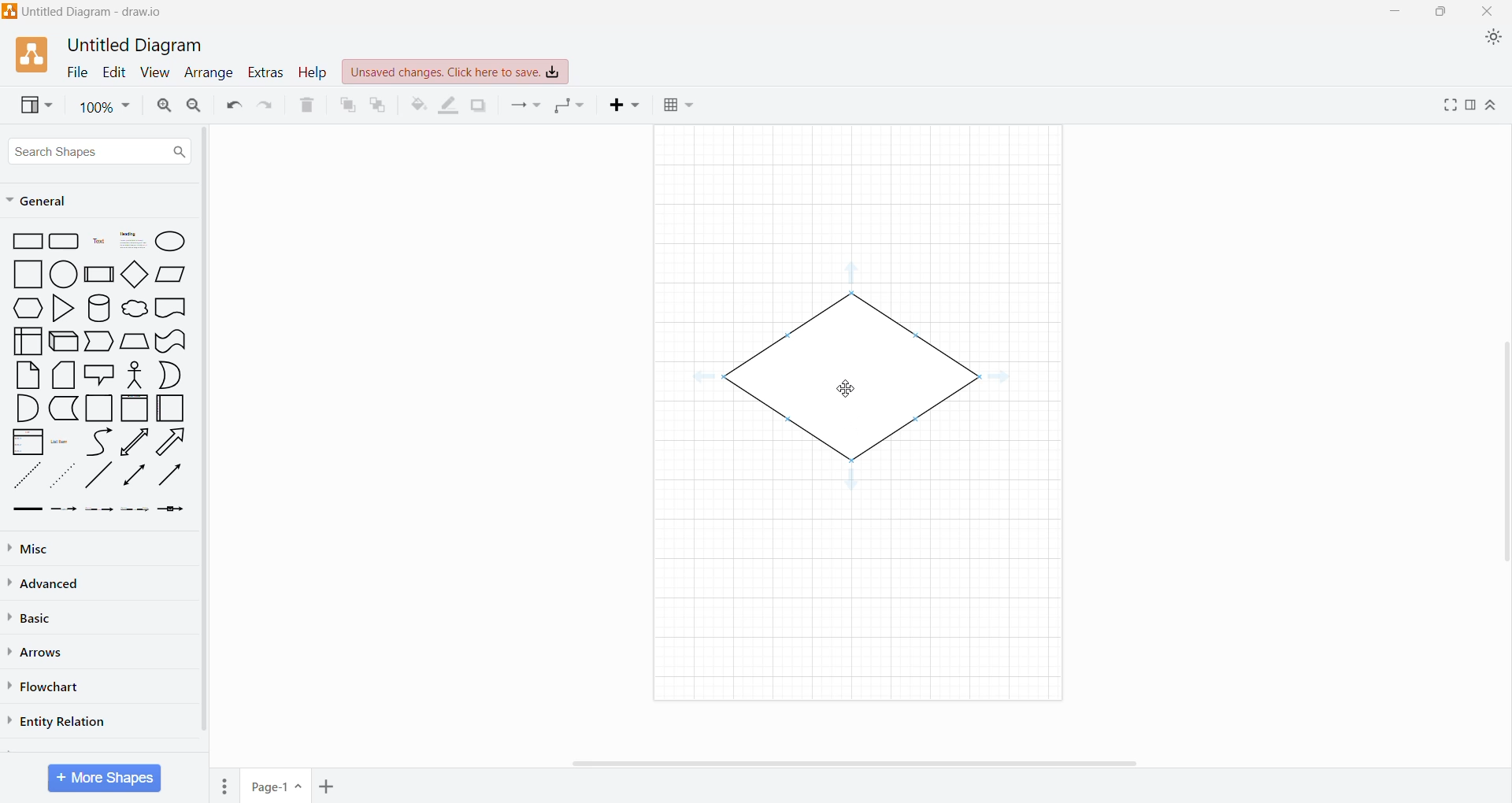 This screenshot has width=1512, height=803. What do you see at coordinates (209, 74) in the screenshot?
I see `Arrange` at bounding box center [209, 74].